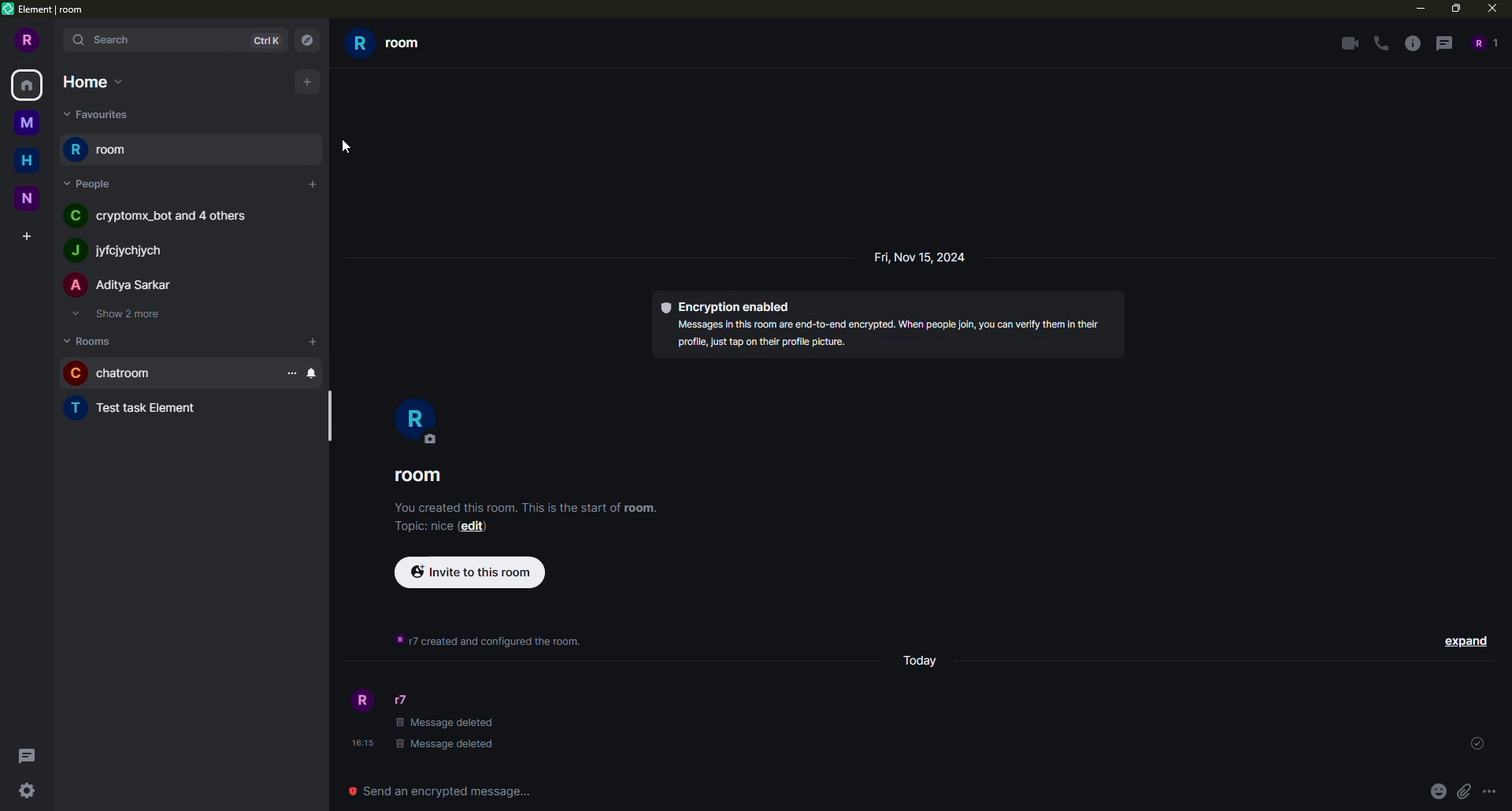  What do you see at coordinates (360, 743) in the screenshot?
I see `time` at bounding box center [360, 743].